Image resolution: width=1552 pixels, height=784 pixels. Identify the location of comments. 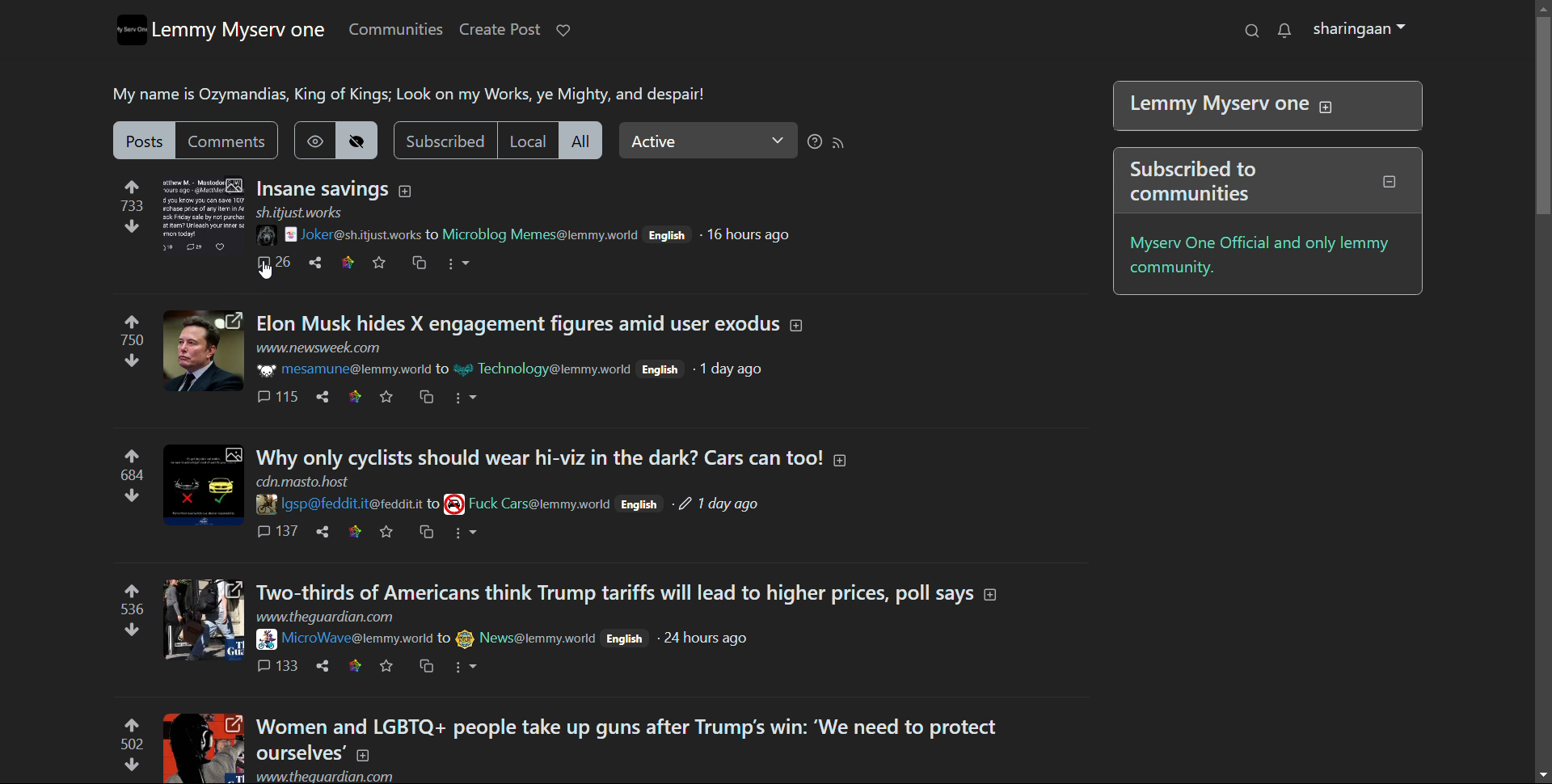
(277, 666).